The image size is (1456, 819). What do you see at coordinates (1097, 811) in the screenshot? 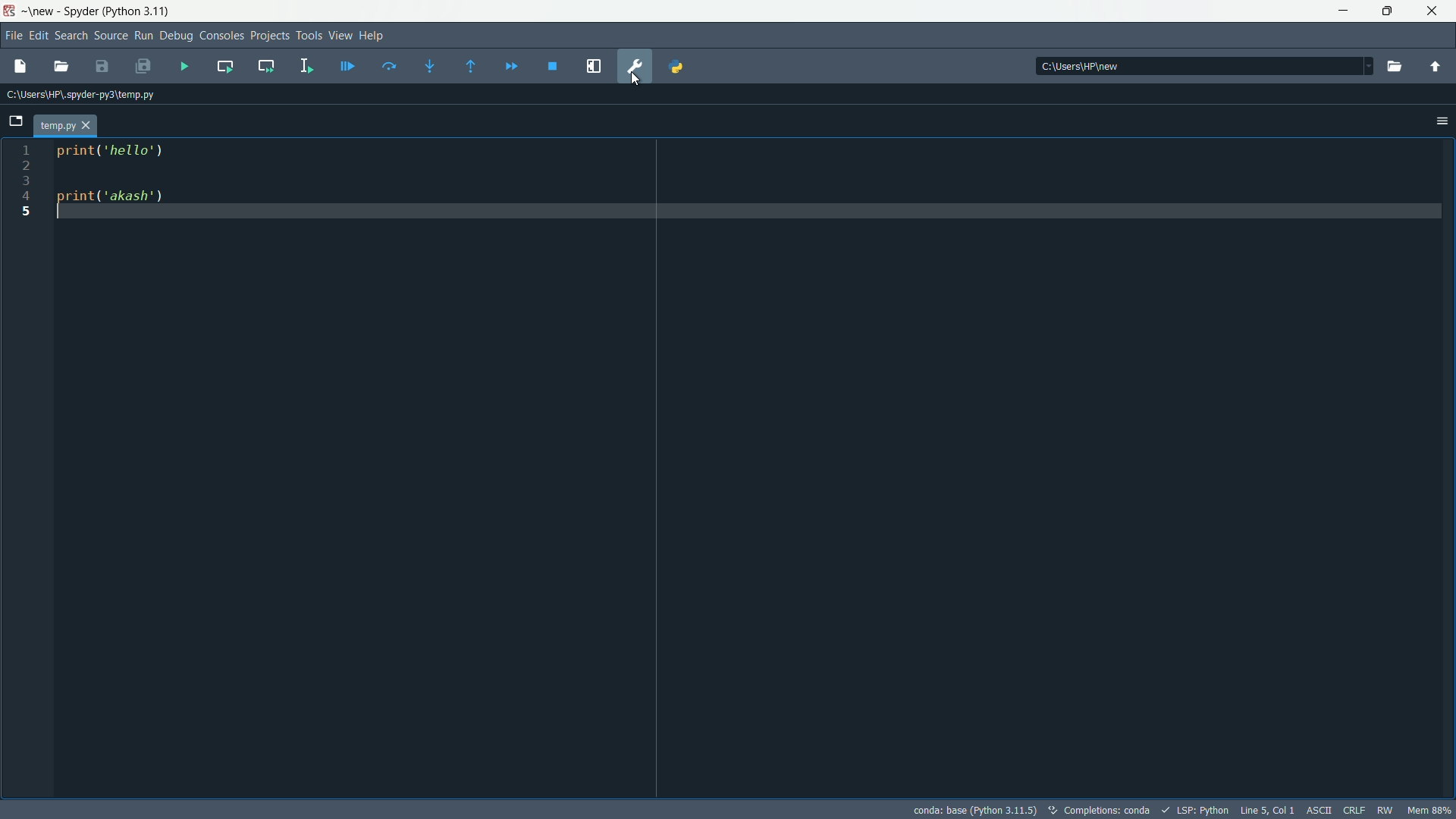
I see `completions:conda` at bounding box center [1097, 811].